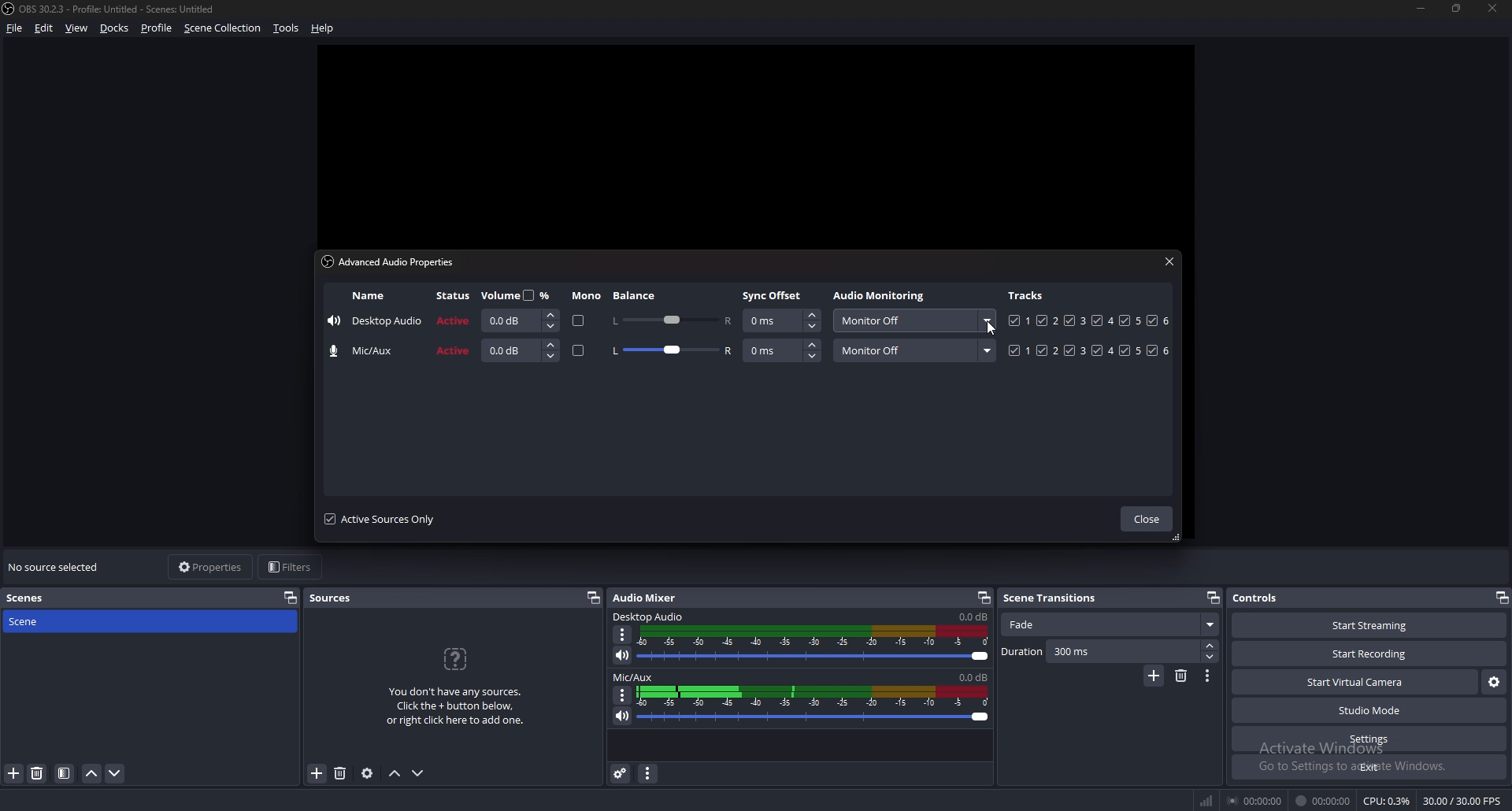 Image resolution: width=1512 pixels, height=811 pixels. What do you see at coordinates (1369, 711) in the screenshot?
I see `studio mode` at bounding box center [1369, 711].